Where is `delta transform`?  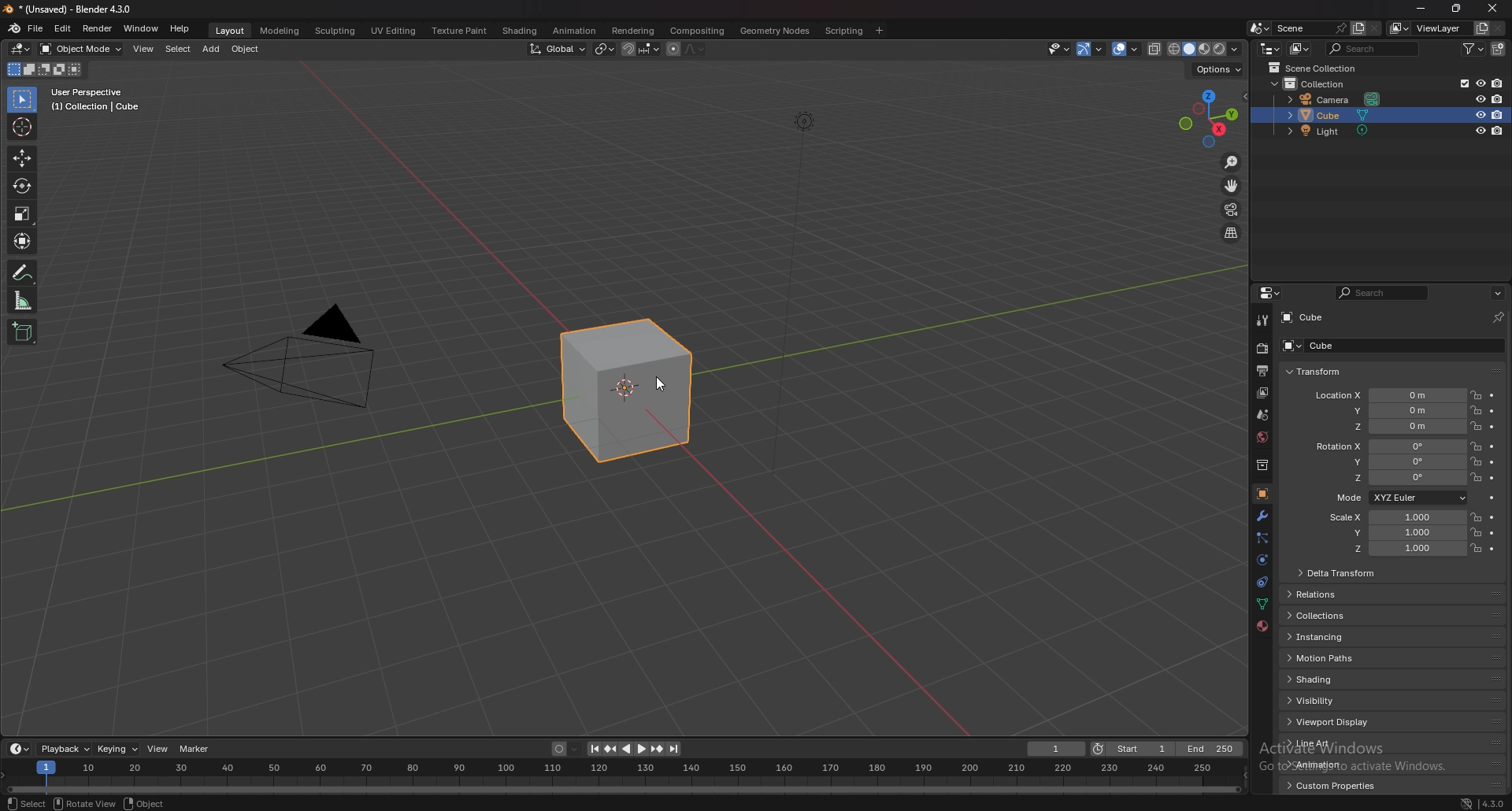 delta transform is located at coordinates (1359, 573).